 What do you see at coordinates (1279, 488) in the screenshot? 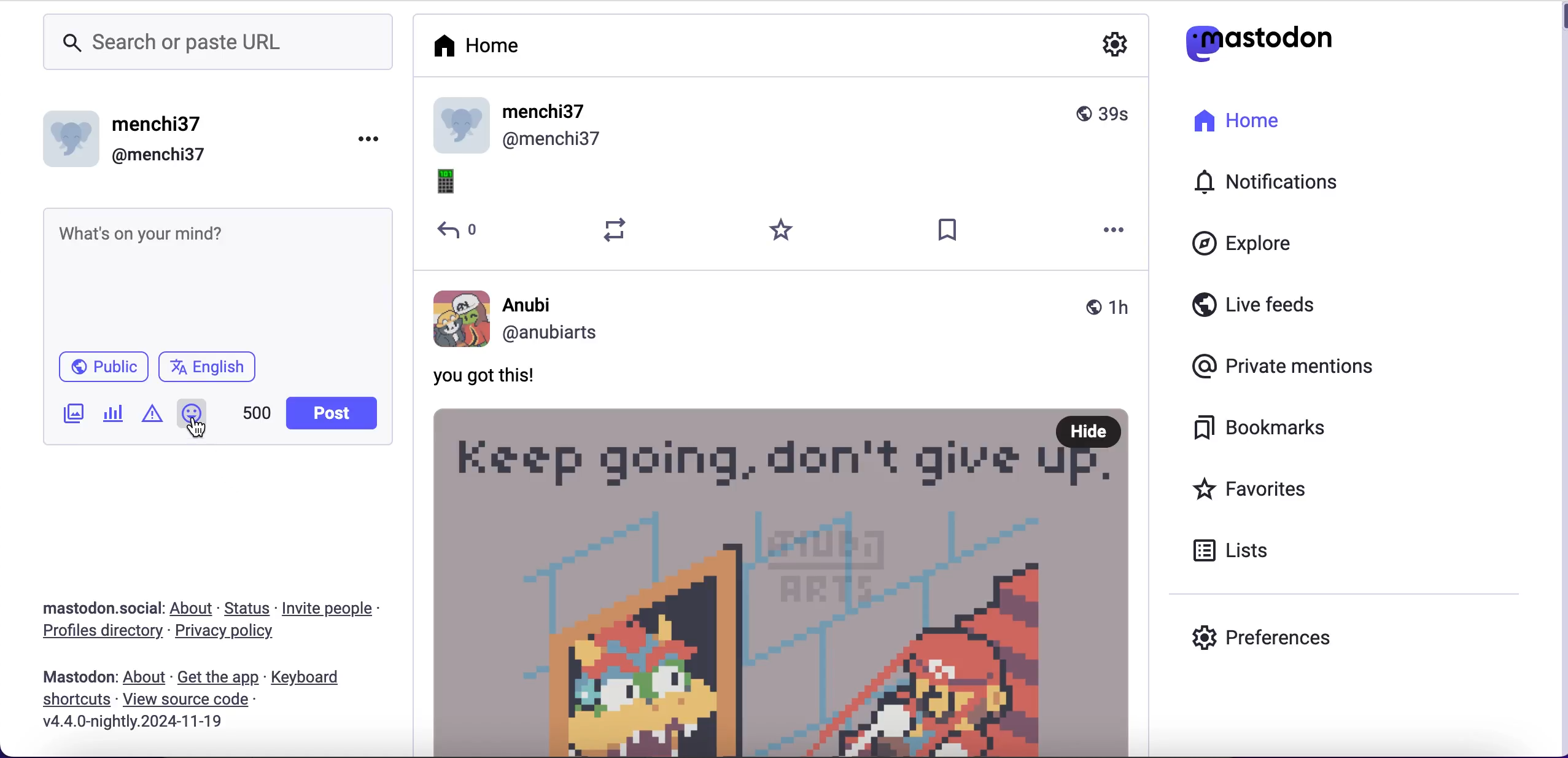
I see `favorites` at bounding box center [1279, 488].